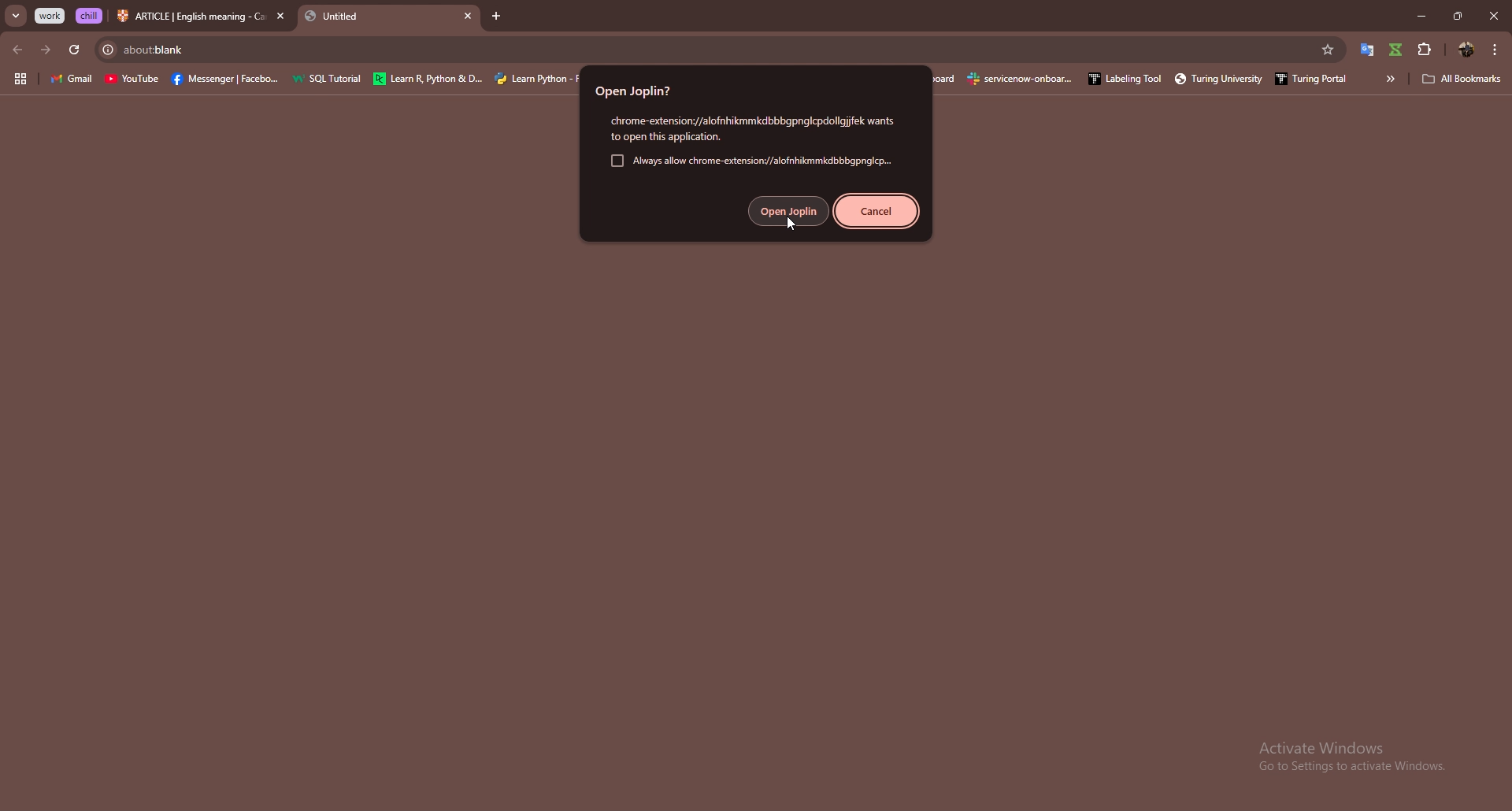 The height and width of the screenshot is (811, 1512). Describe the element at coordinates (17, 17) in the screenshot. I see `search tabs` at that location.